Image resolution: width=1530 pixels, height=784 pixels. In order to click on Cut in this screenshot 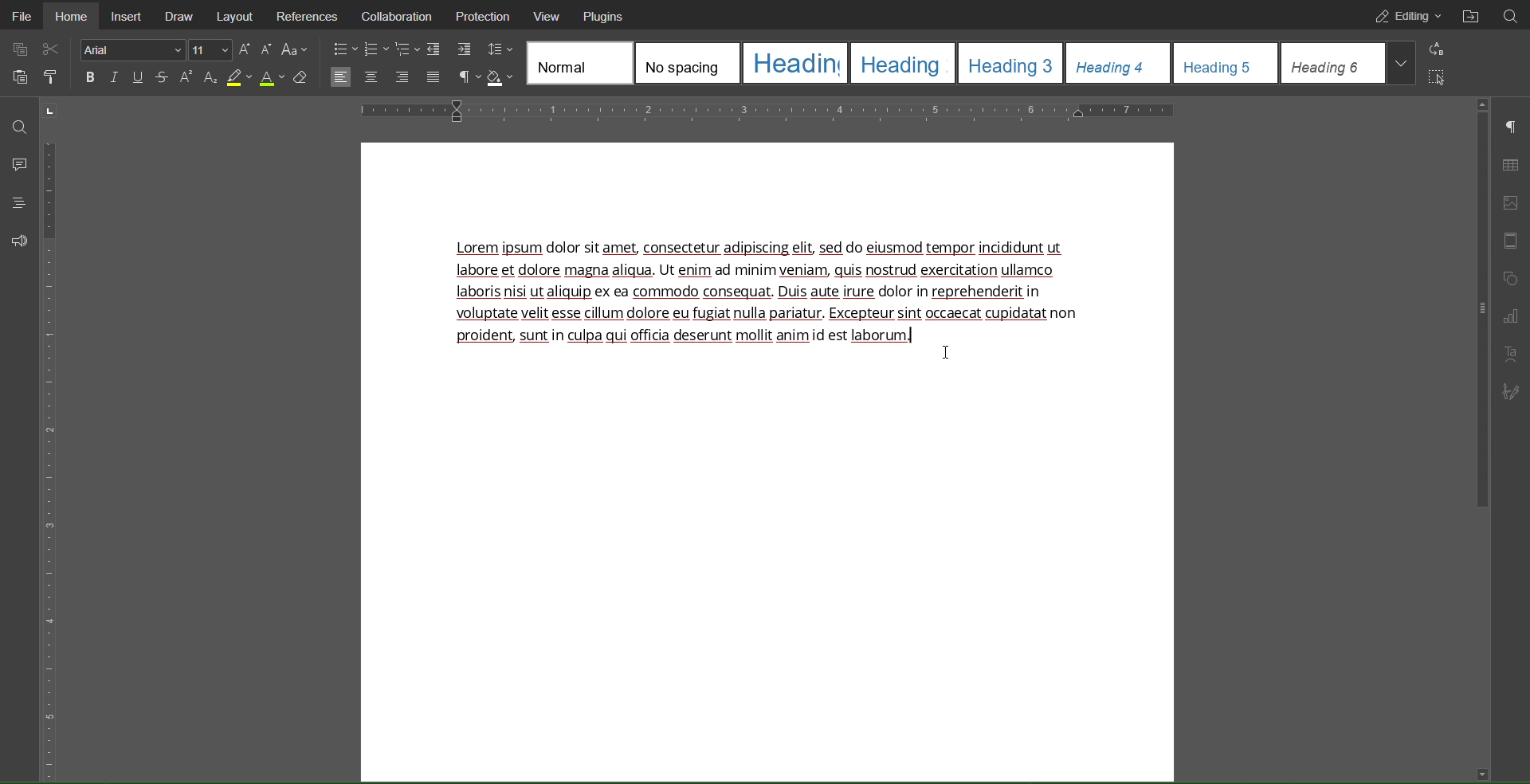, I will do `click(54, 50)`.